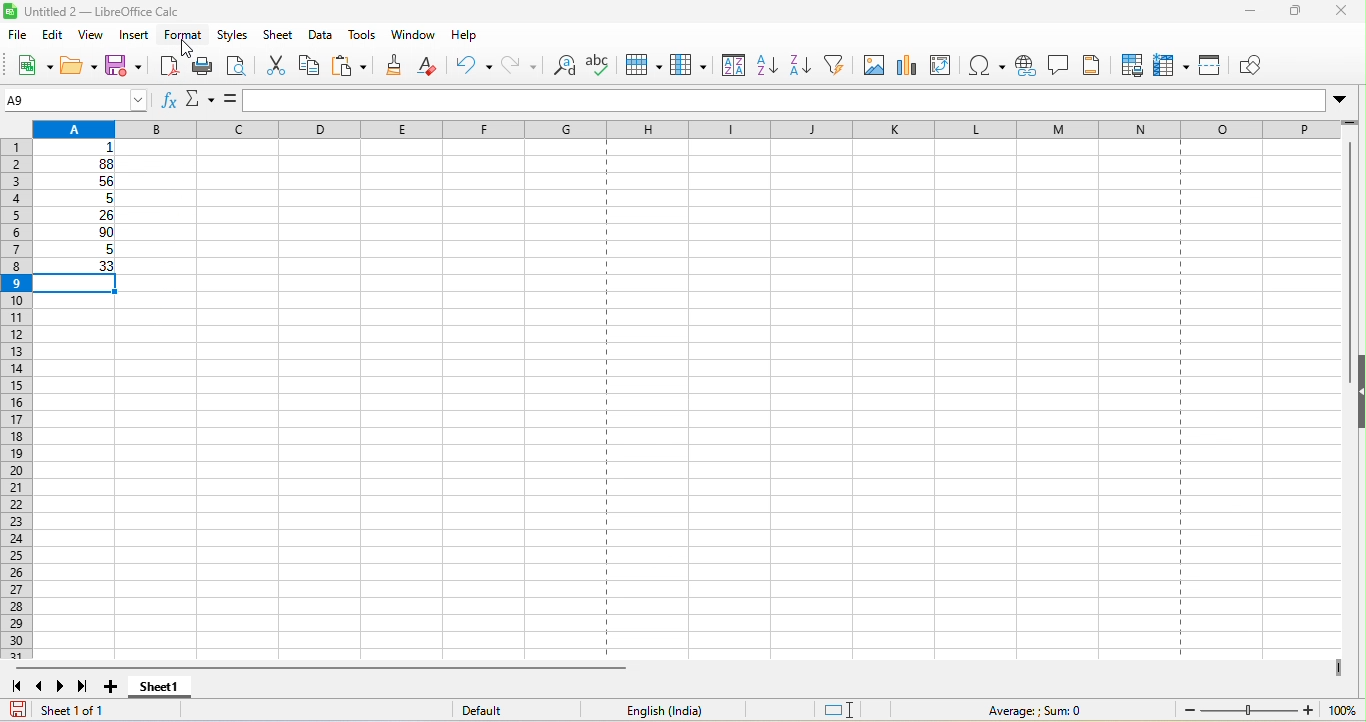 The height and width of the screenshot is (722, 1366). I want to click on zoom, so click(1267, 710).